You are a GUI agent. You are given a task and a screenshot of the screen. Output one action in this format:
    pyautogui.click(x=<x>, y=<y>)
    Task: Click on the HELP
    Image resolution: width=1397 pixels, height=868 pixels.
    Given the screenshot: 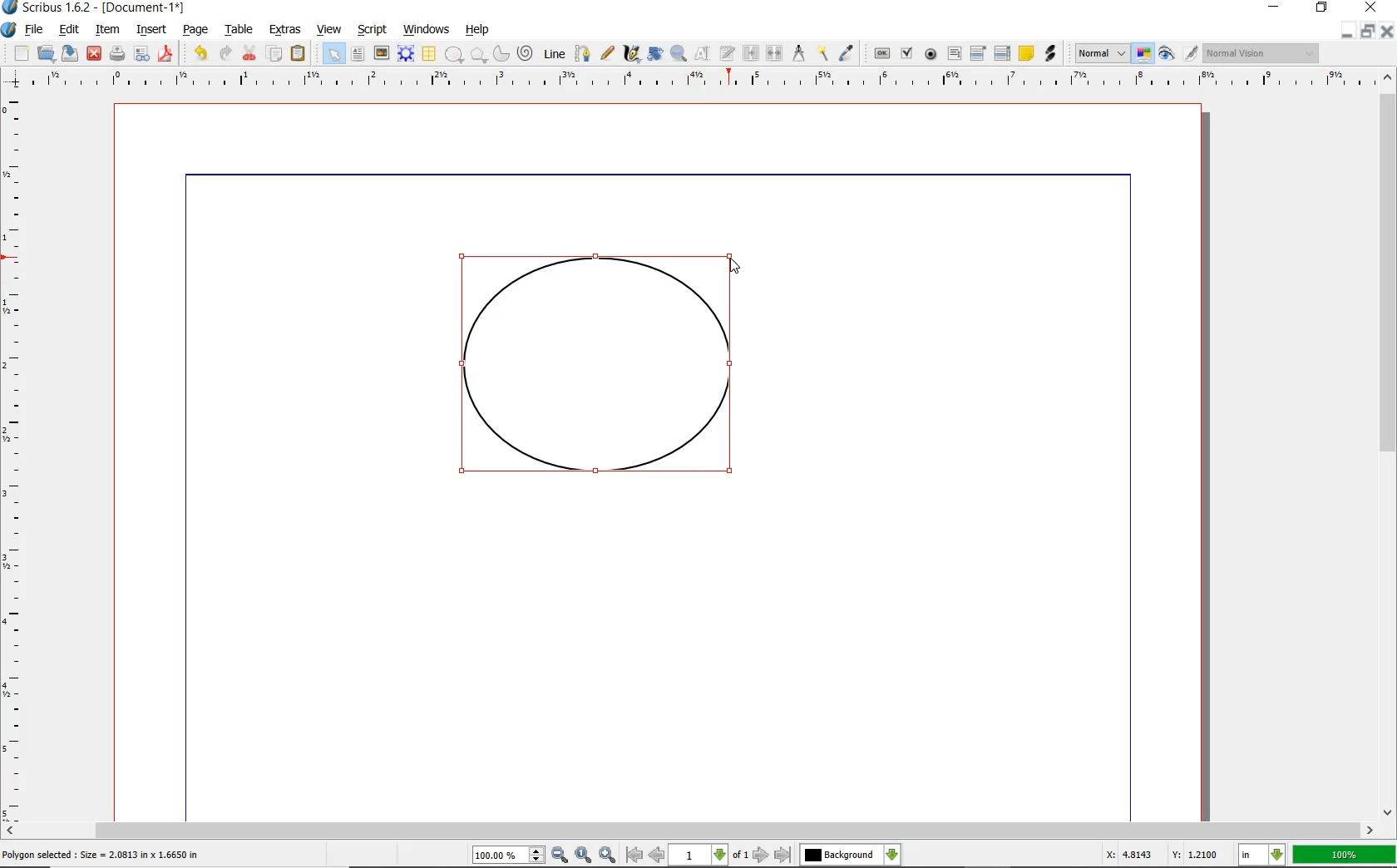 What is the action you would take?
    pyautogui.click(x=481, y=28)
    